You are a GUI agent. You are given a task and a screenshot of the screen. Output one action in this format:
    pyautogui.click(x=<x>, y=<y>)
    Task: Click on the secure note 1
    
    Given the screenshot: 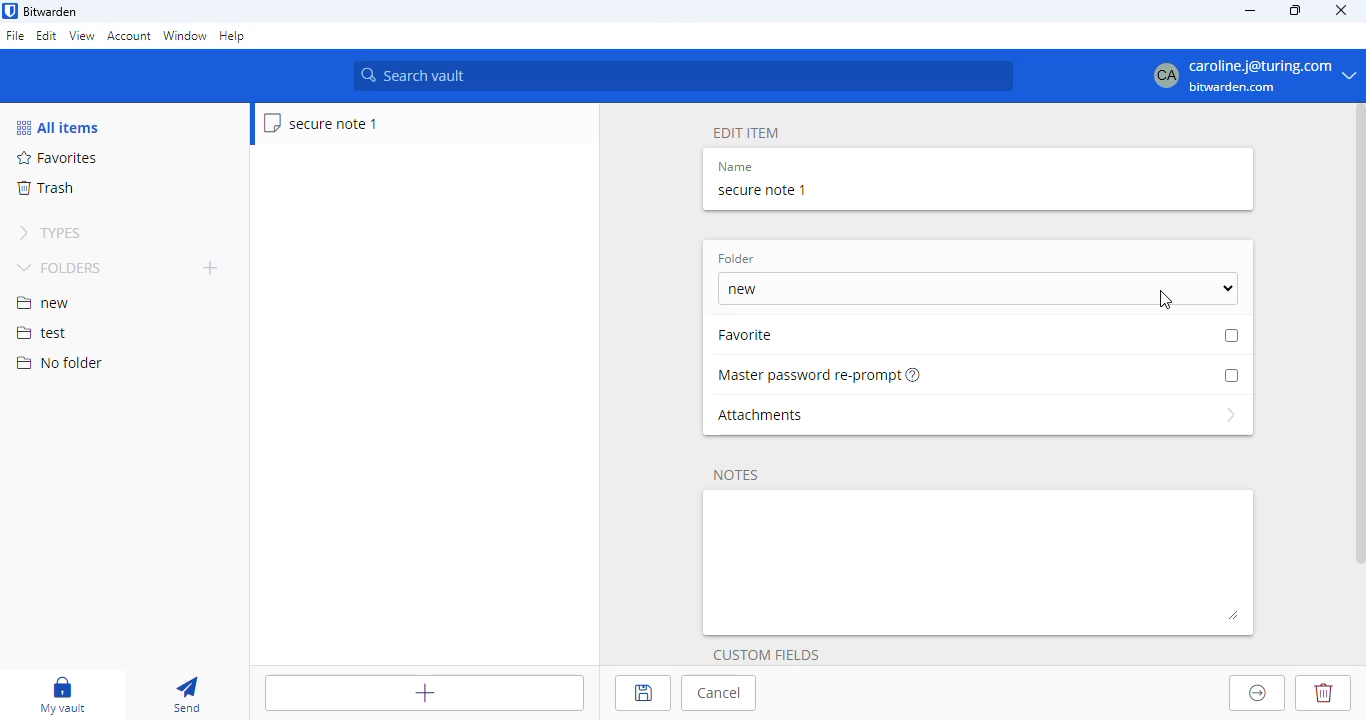 What is the action you would take?
    pyautogui.click(x=762, y=190)
    